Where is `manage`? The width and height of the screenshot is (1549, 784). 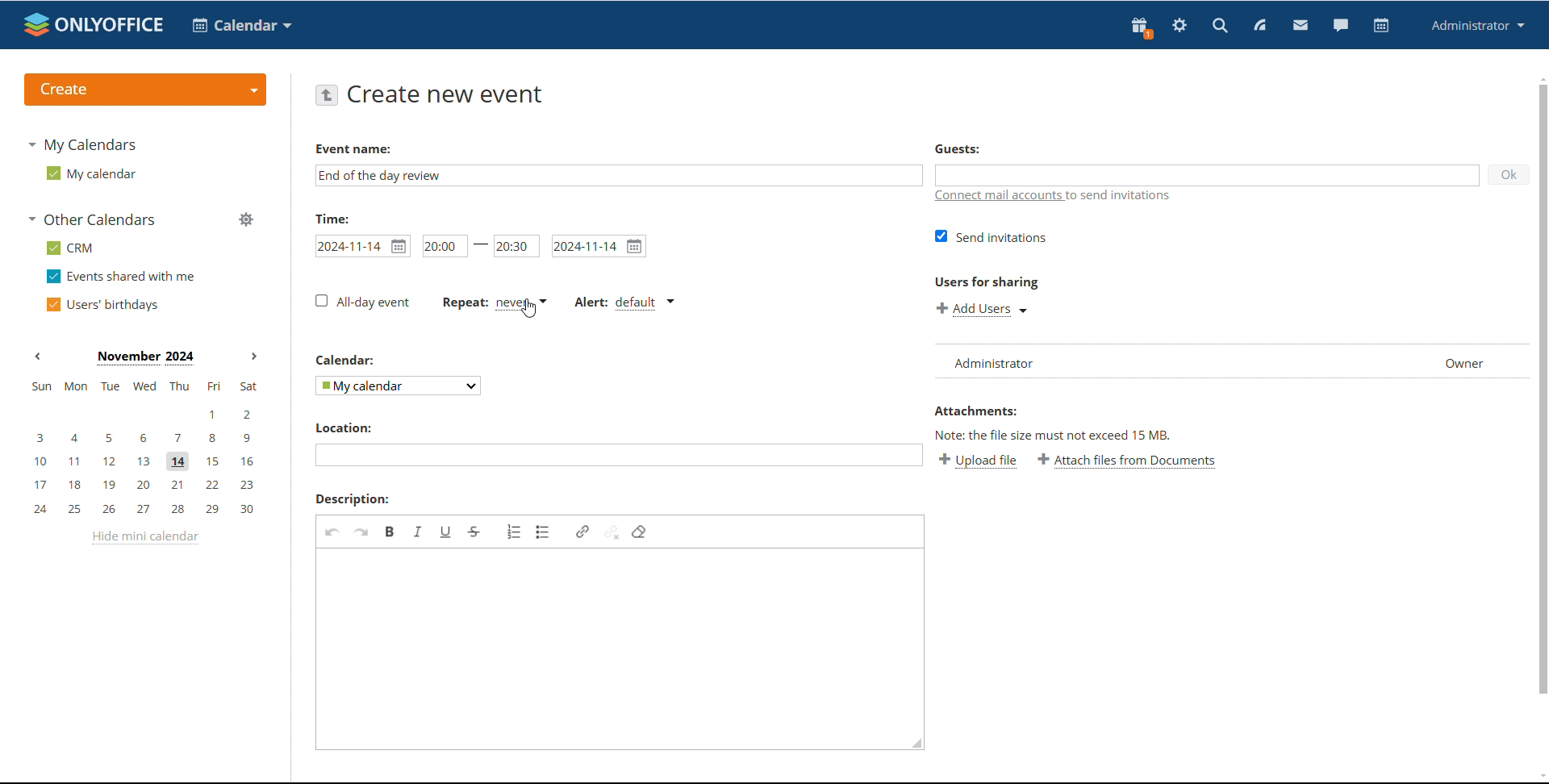 manage is located at coordinates (247, 221).